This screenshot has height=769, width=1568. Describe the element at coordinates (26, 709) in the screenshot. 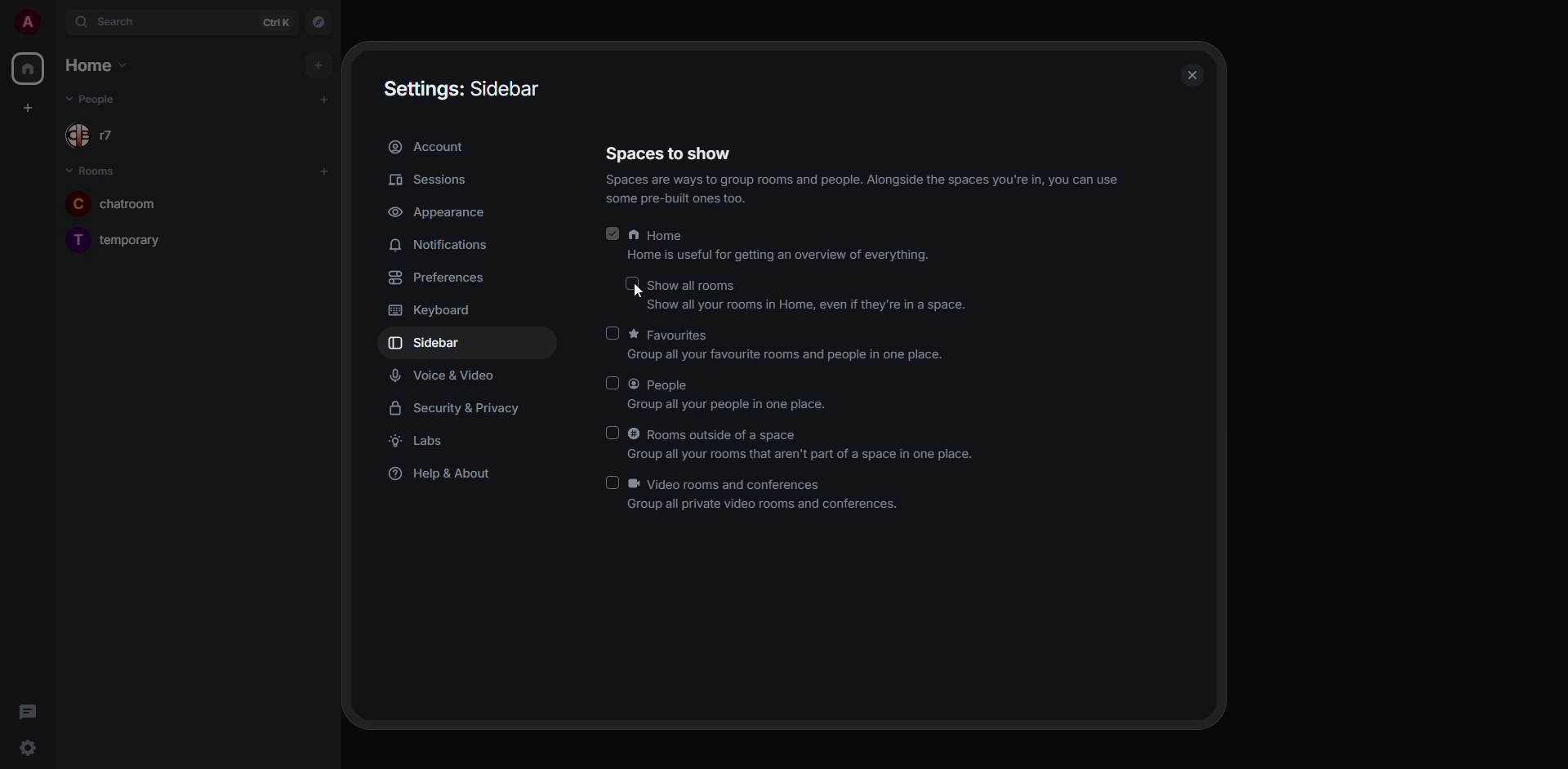

I see `threads` at that location.